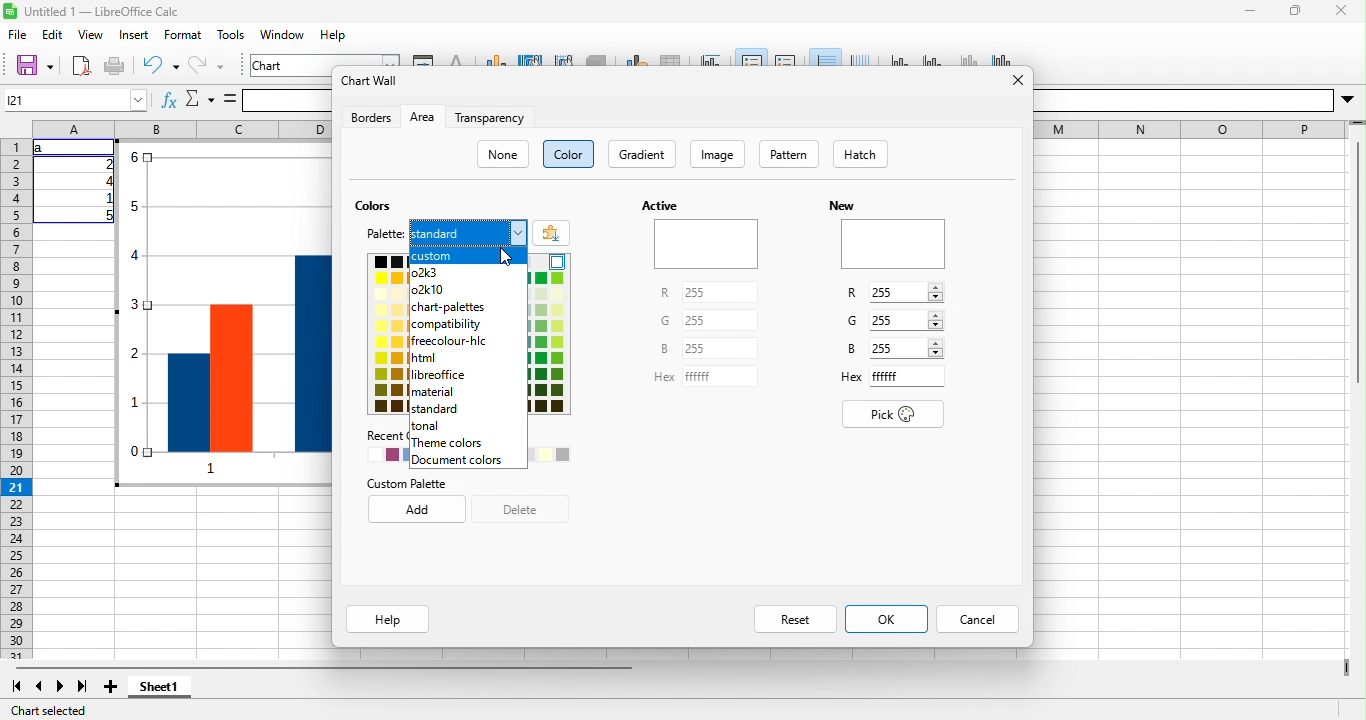  Describe the element at coordinates (10, 11) in the screenshot. I see `Software logo` at that location.